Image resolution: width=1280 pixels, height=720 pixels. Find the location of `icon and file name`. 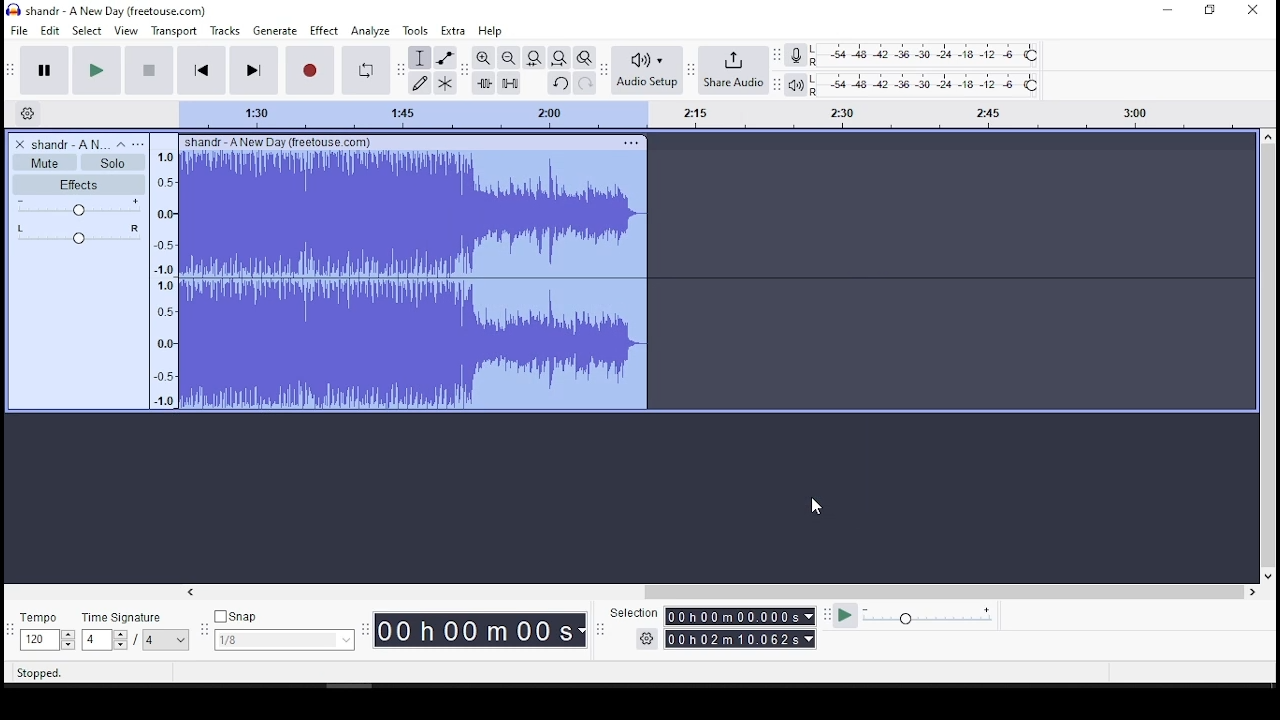

icon and file name is located at coordinates (109, 12).